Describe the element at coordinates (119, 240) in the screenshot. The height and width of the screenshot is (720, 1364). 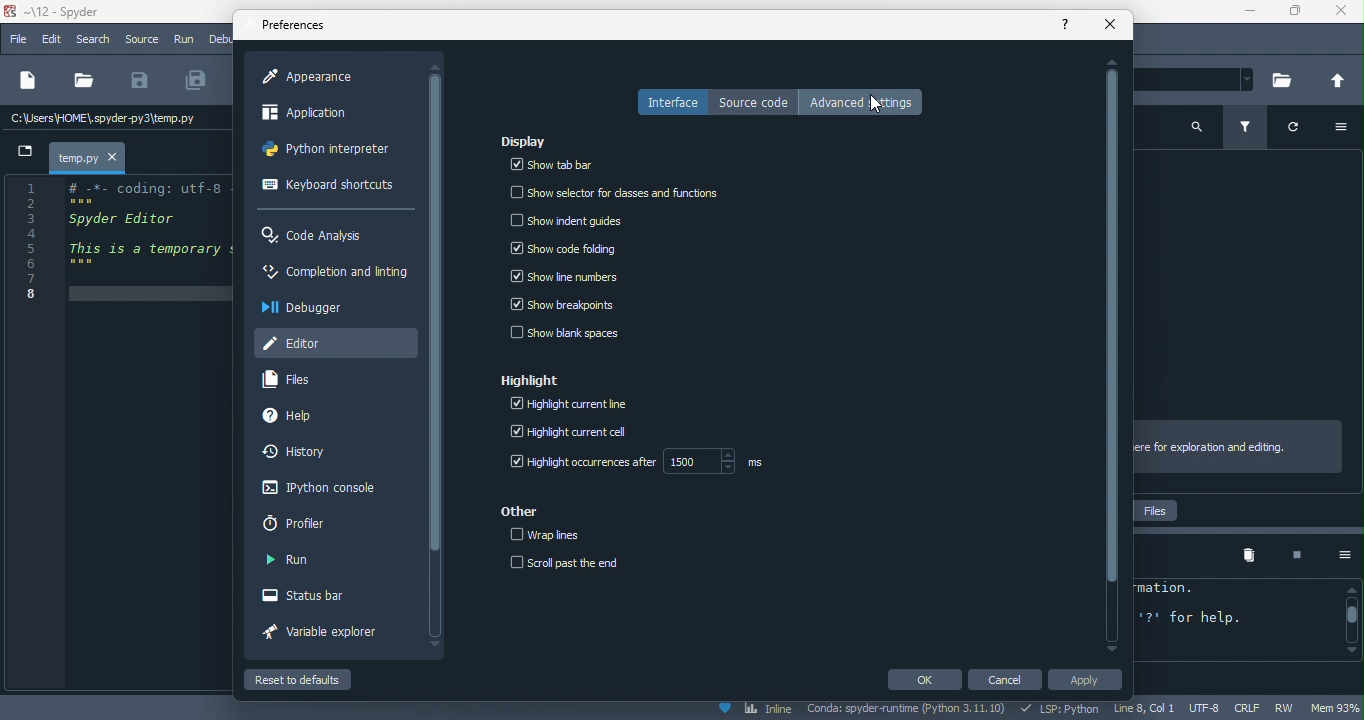
I see `coding` at that location.